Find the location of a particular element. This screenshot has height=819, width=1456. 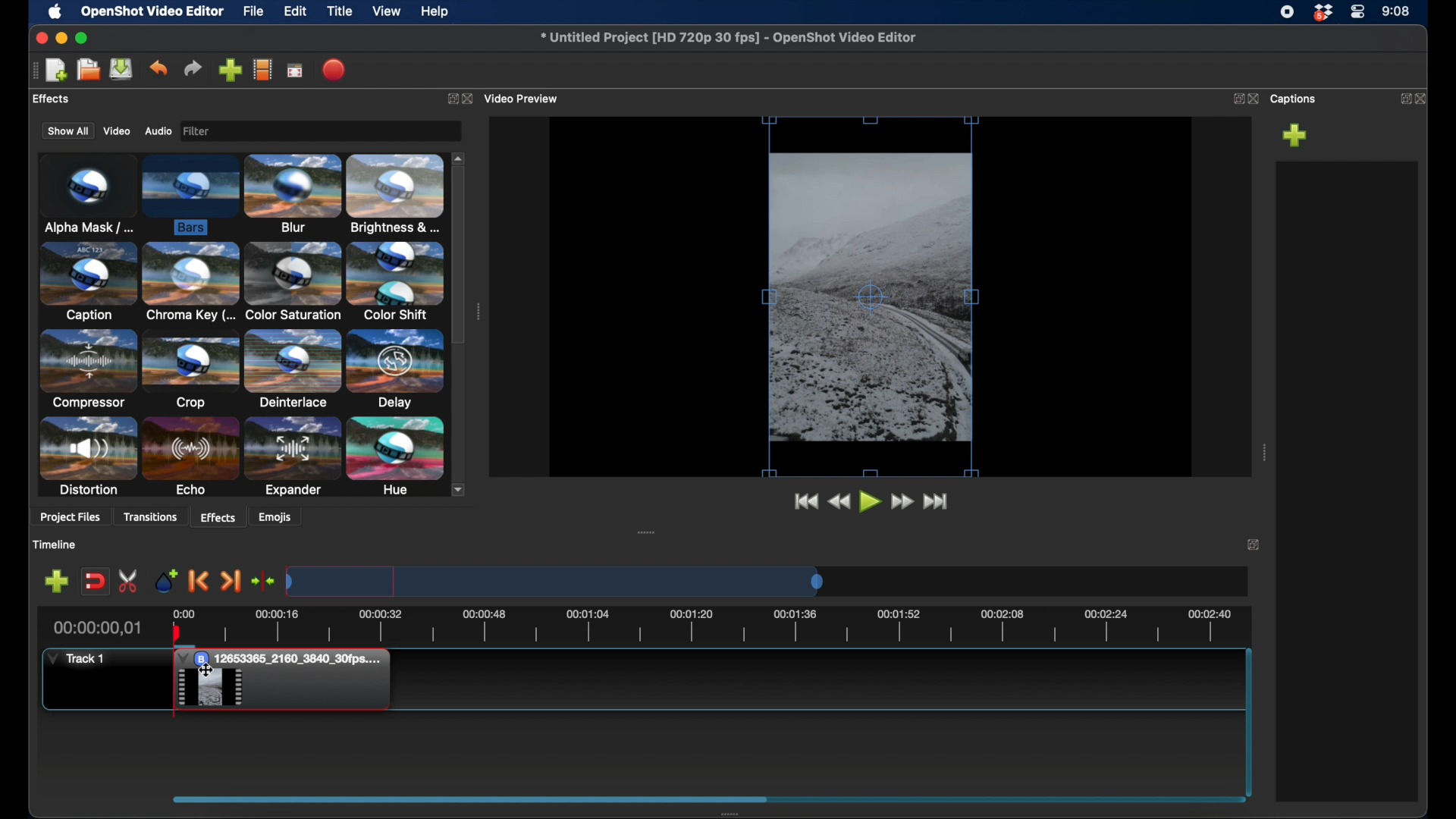

new project is located at coordinates (57, 69).